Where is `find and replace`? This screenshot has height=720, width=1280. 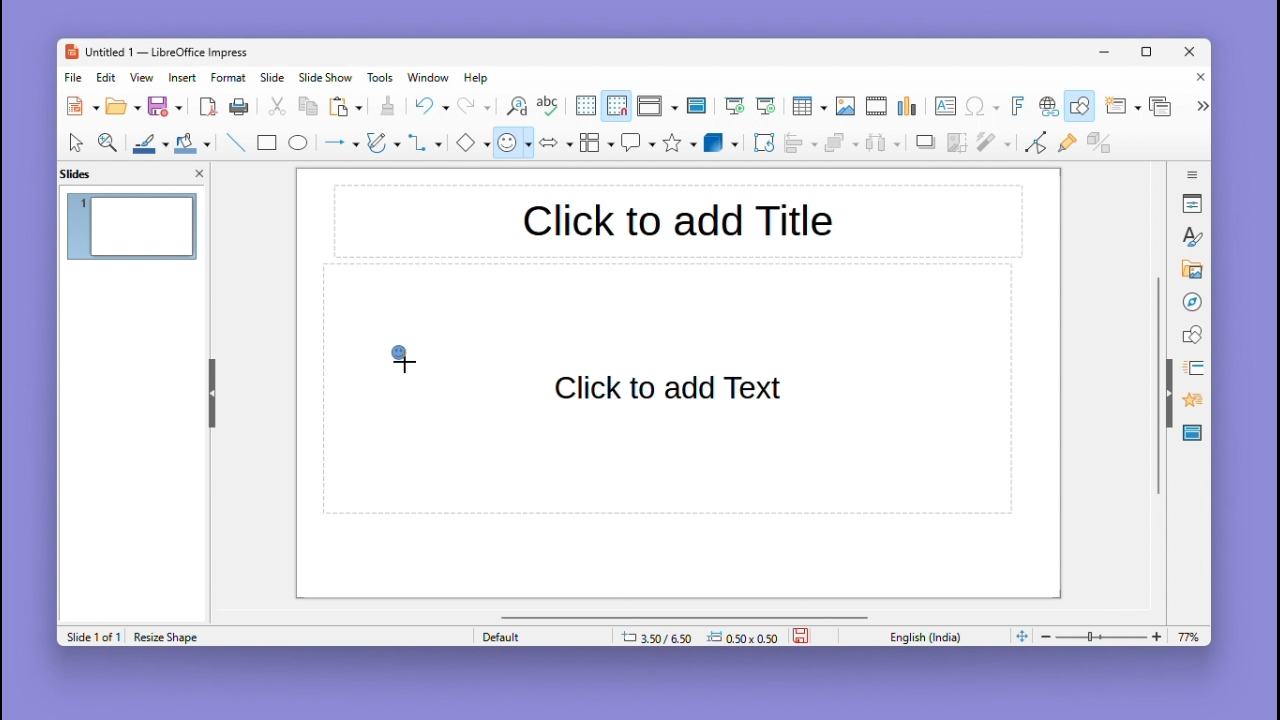 find and replace is located at coordinates (515, 106).